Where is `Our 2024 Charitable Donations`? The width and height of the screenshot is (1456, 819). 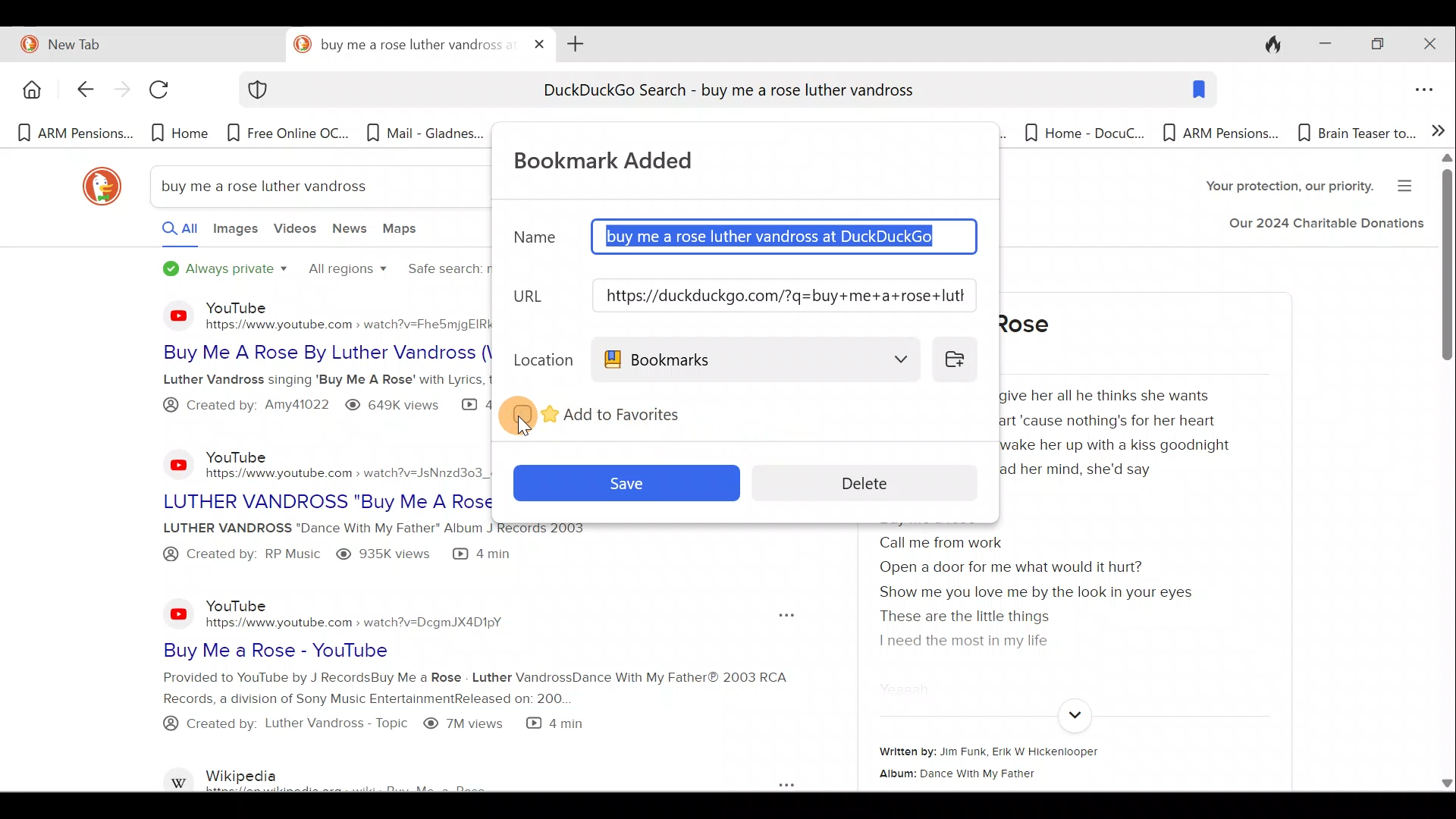
Our 2024 Charitable Donations is located at coordinates (1326, 227).